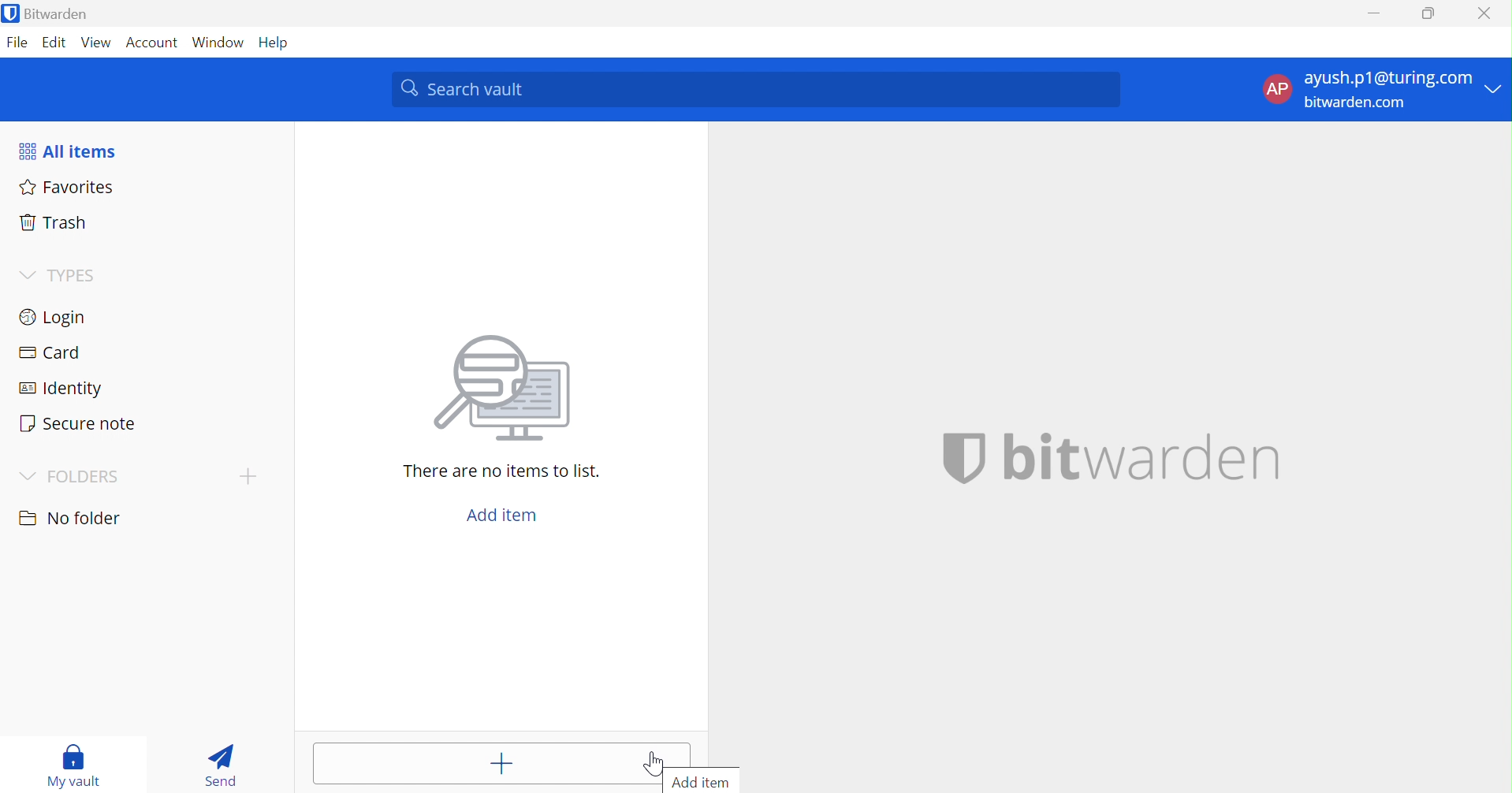 This screenshot has height=793, width=1512. What do you see at coordinates (1484, 13) in the screenshot?
I see `Close` at bounding box center [1484, 13].